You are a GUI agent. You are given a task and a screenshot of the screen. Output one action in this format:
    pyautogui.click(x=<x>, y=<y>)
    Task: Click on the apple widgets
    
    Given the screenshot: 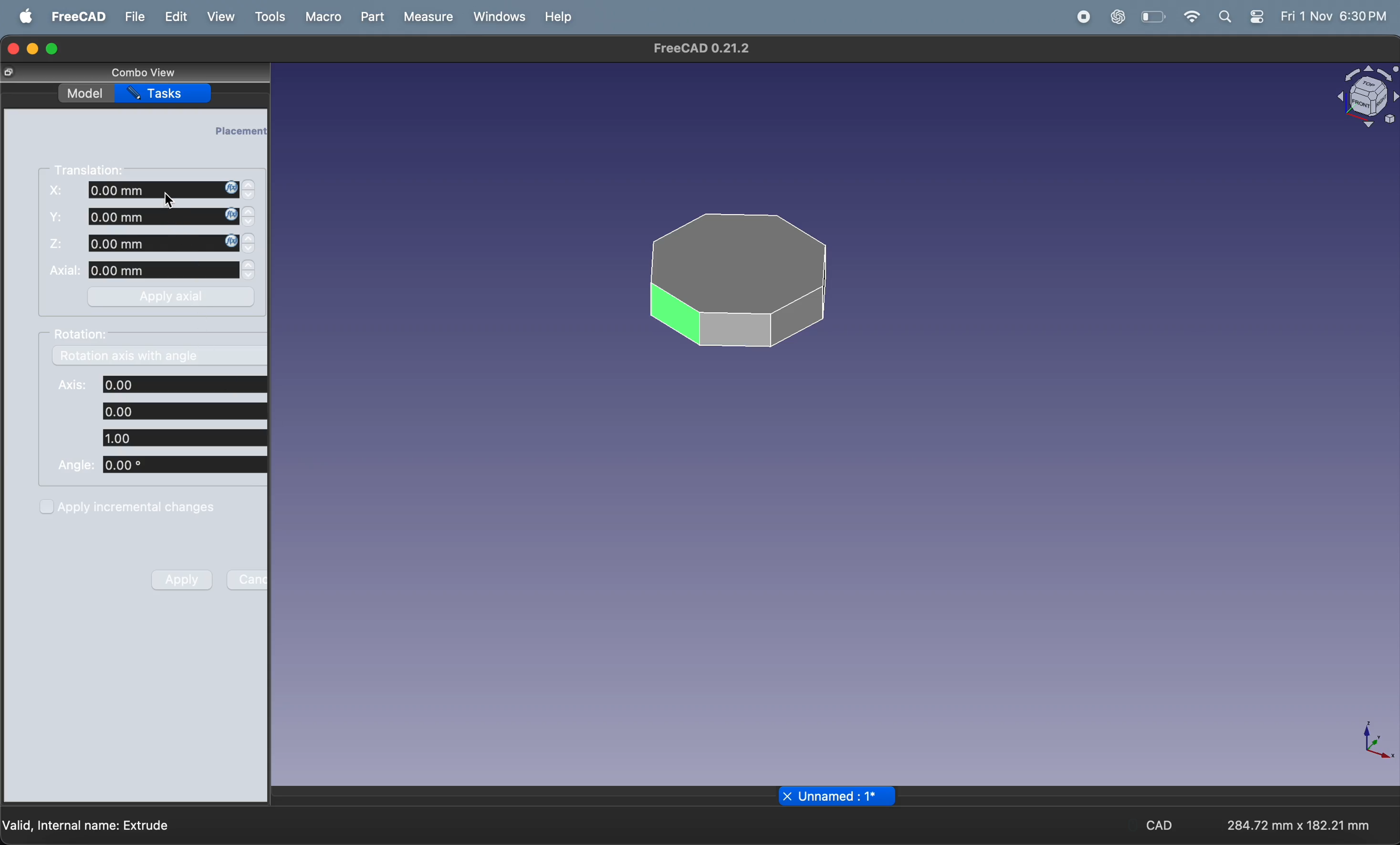 What is the action you would take?
    pyautogui.click(x=1260, y=16)
    